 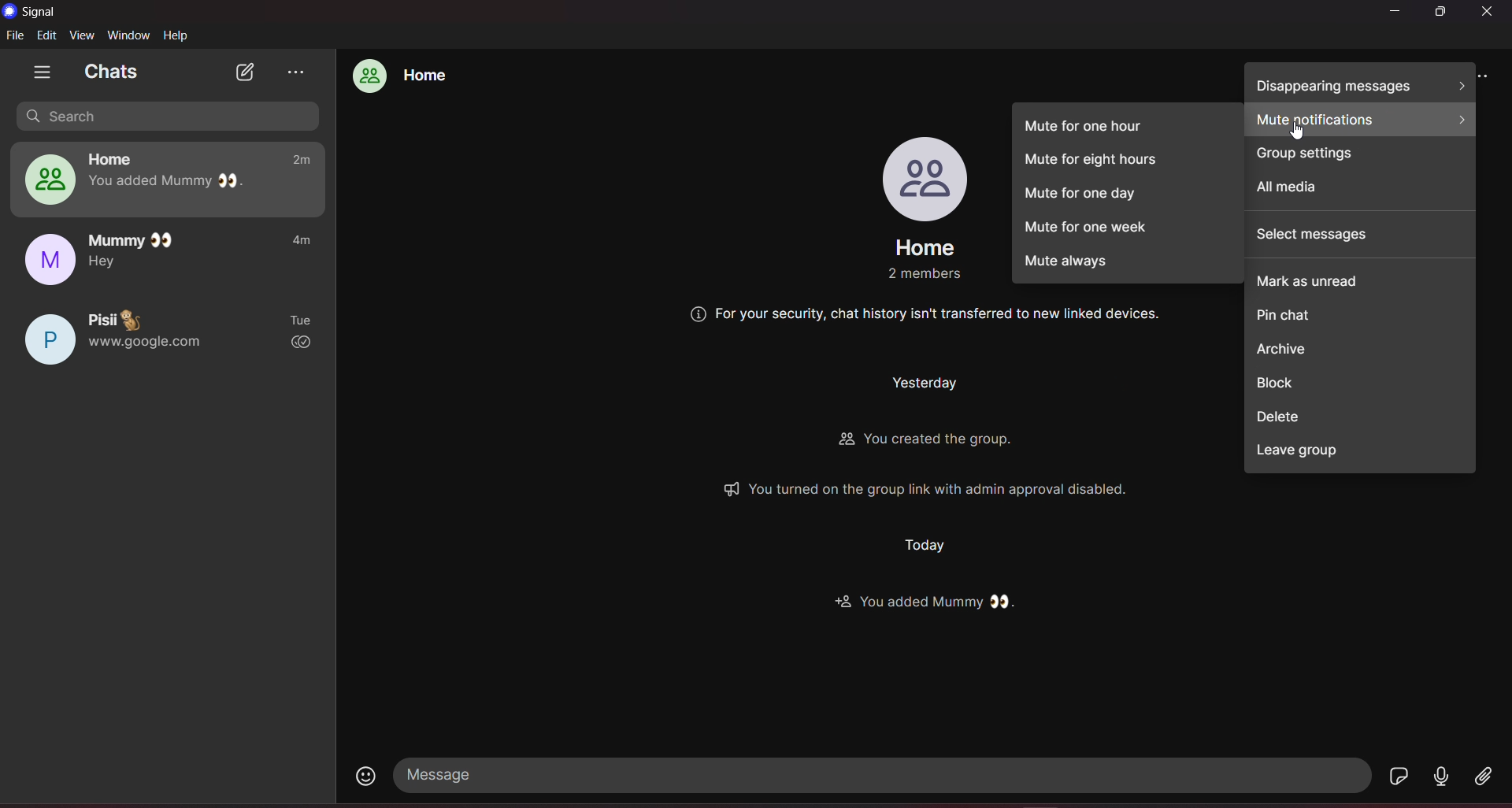 What do you see at coordinates (169, 115) in the screenshot?
I see `search` at bounding box center [169, 115].